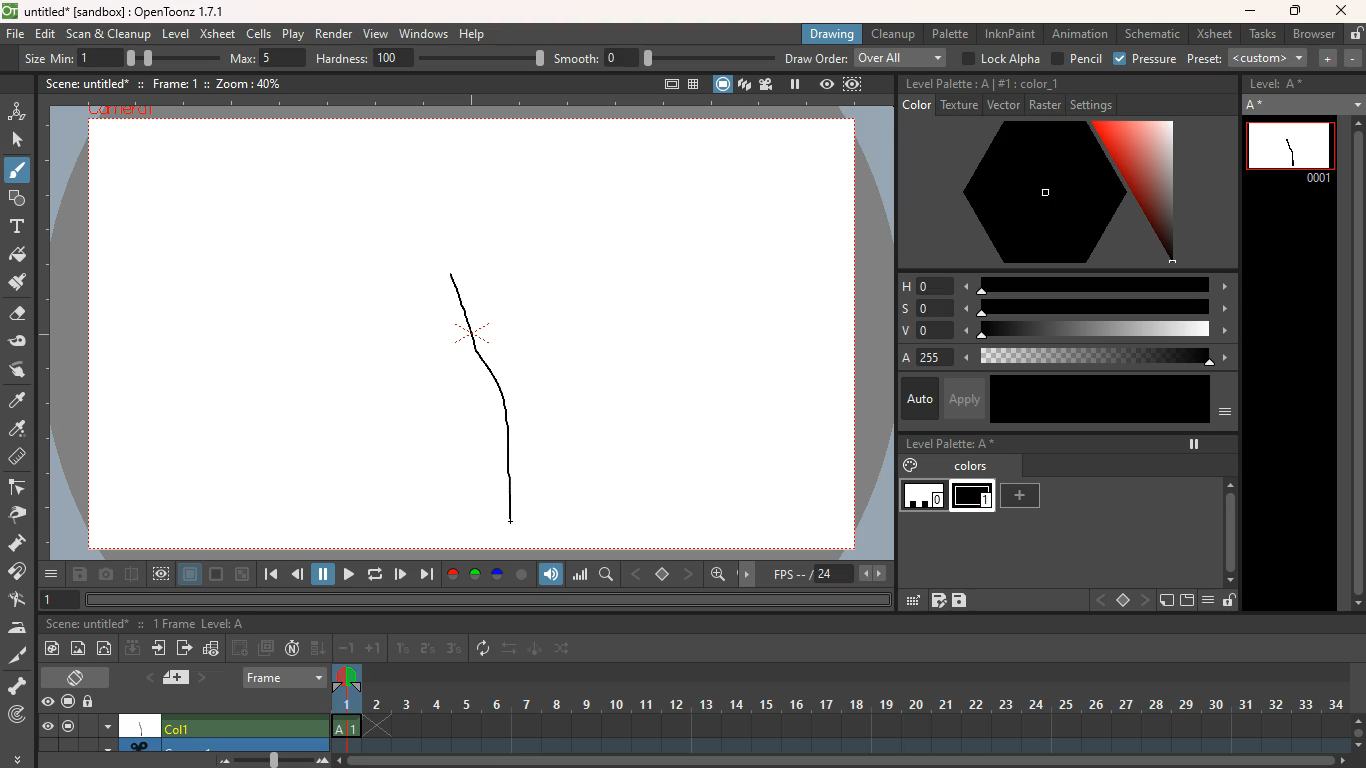 The width and height of the screenshot is (1366, 768). What do you see at coordinates (1166, 601) in the screenshot?
I see `new page` at bounding box center [1166, 601].